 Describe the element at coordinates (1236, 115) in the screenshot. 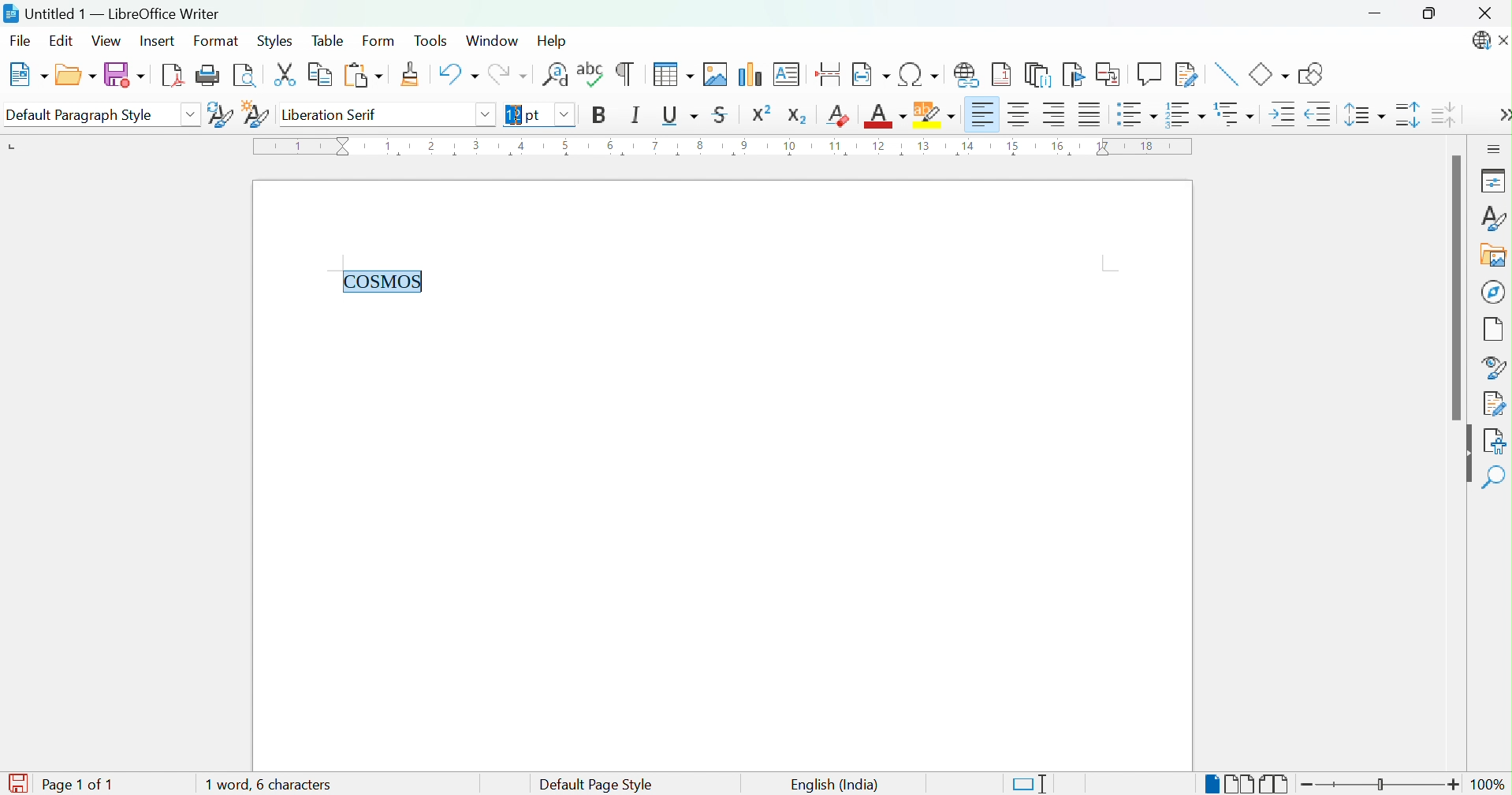

I see `Select outline format` at that location.